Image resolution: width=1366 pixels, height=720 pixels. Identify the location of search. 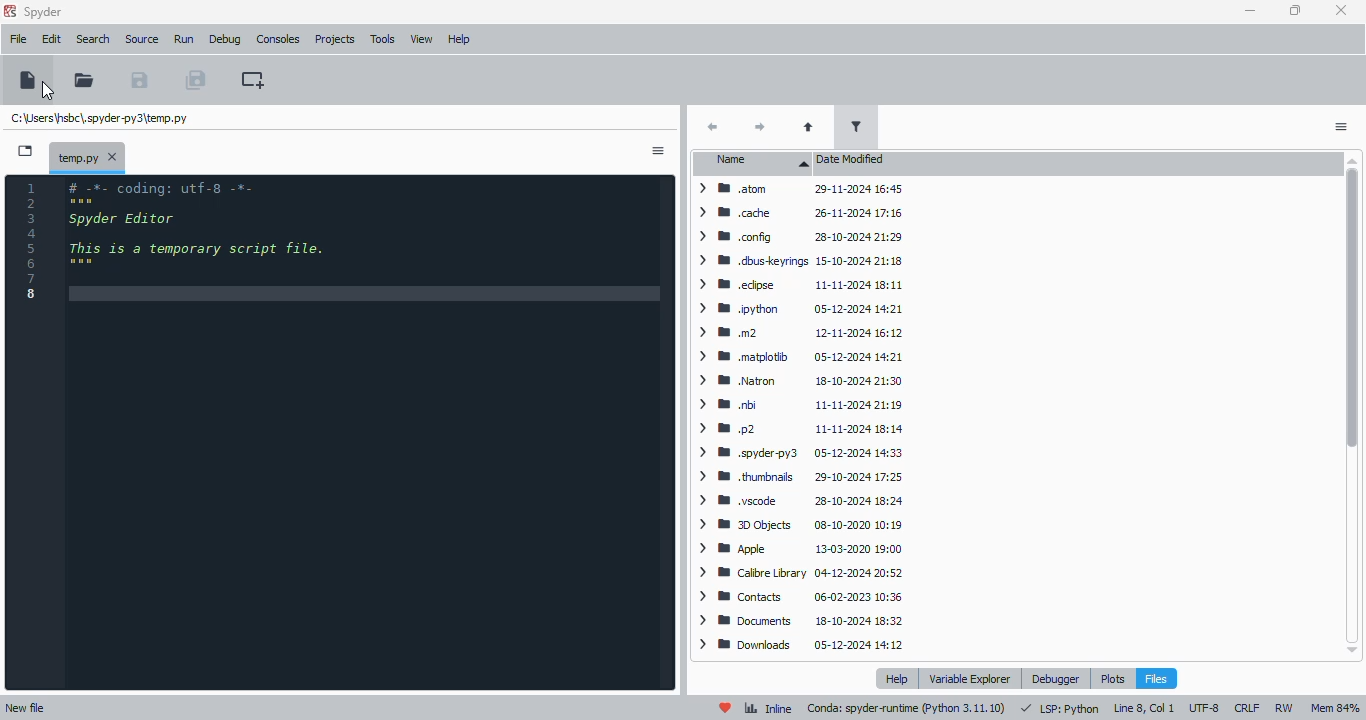
(94, 39).